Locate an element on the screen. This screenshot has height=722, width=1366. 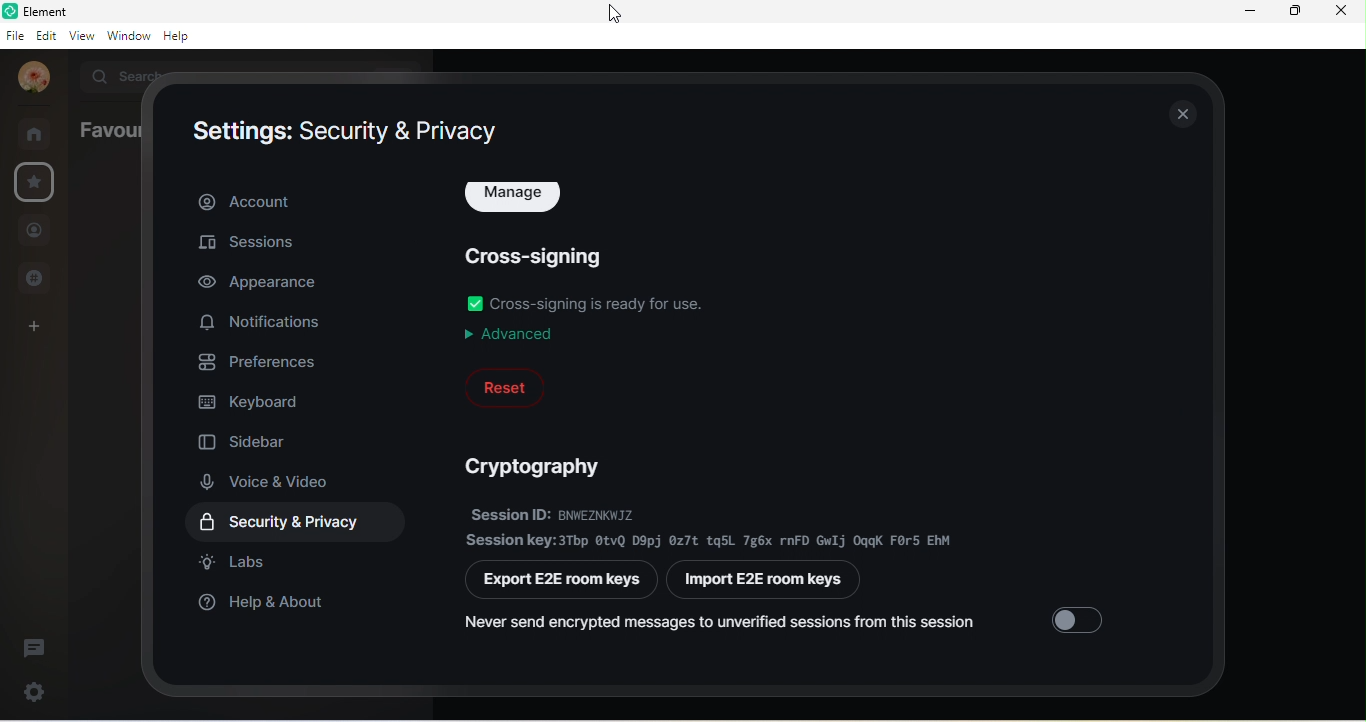
close is located at coordinates (1181, 113).